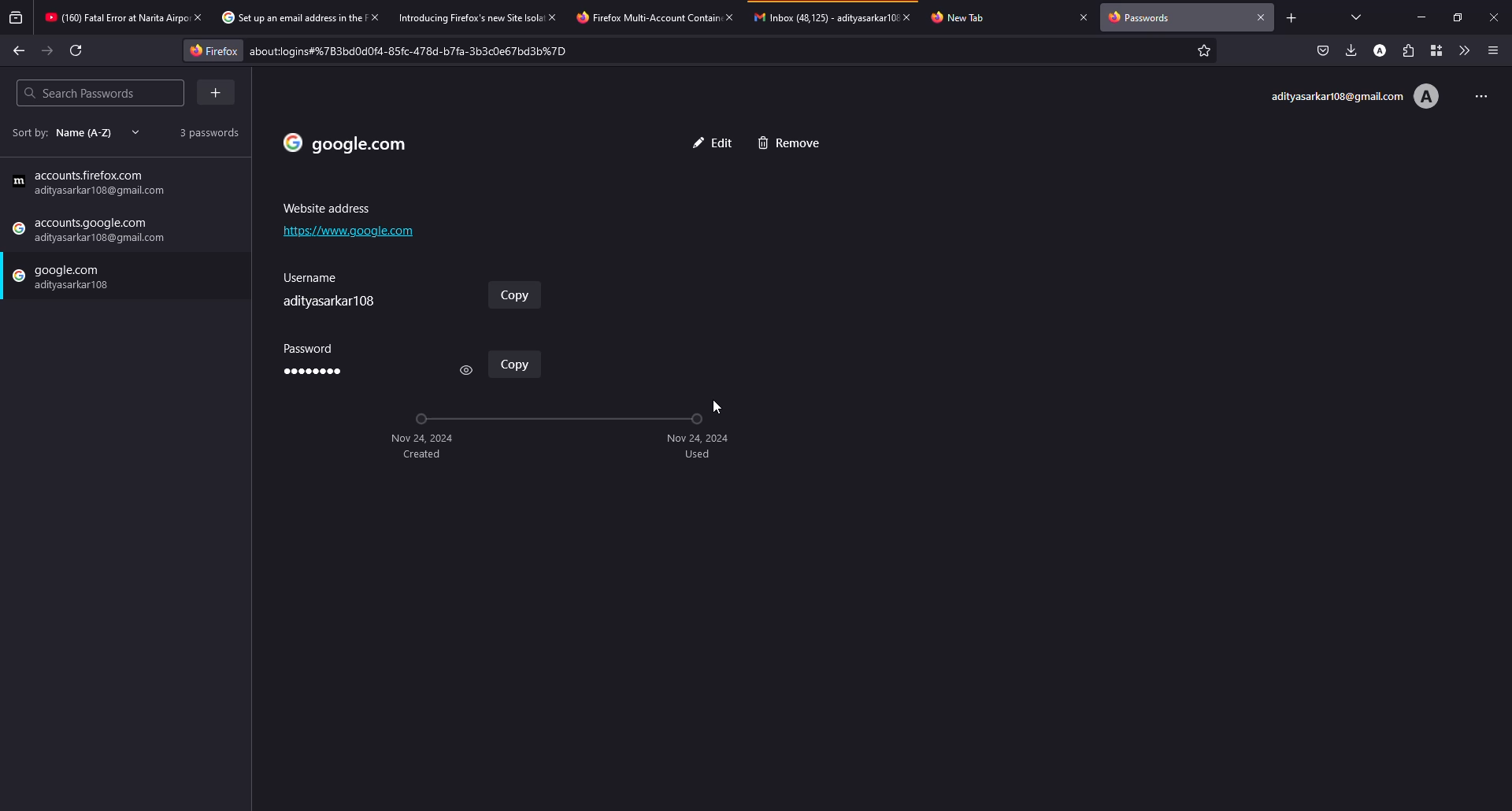  Describe the element at coordinates (71, 132) in the screenshot. I see `sort by name` at that location.